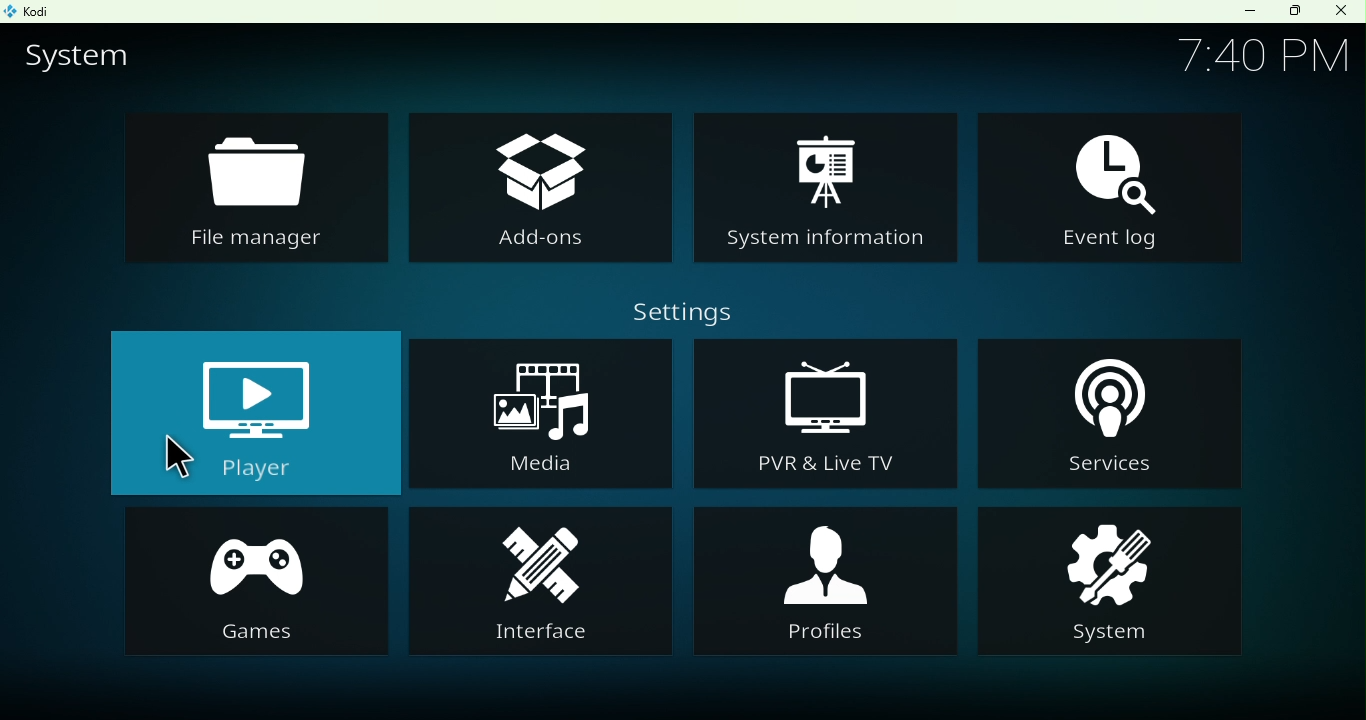  What do you see at coordinates (1114, 410) in the screenshot?
I see `Services ` at bounding box center [1114, 410].